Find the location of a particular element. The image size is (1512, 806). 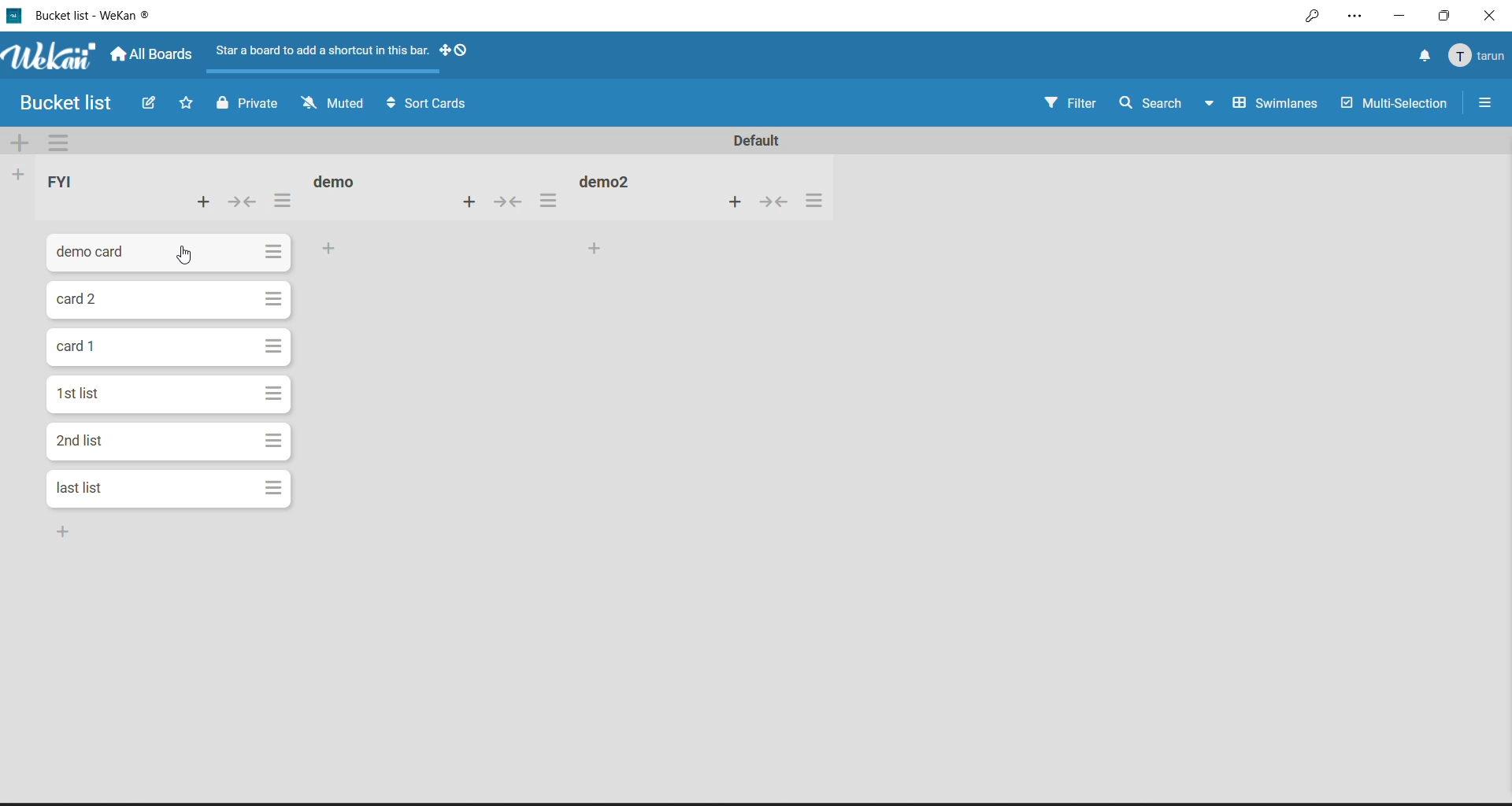

collapse is located at coordinates (509, 201).